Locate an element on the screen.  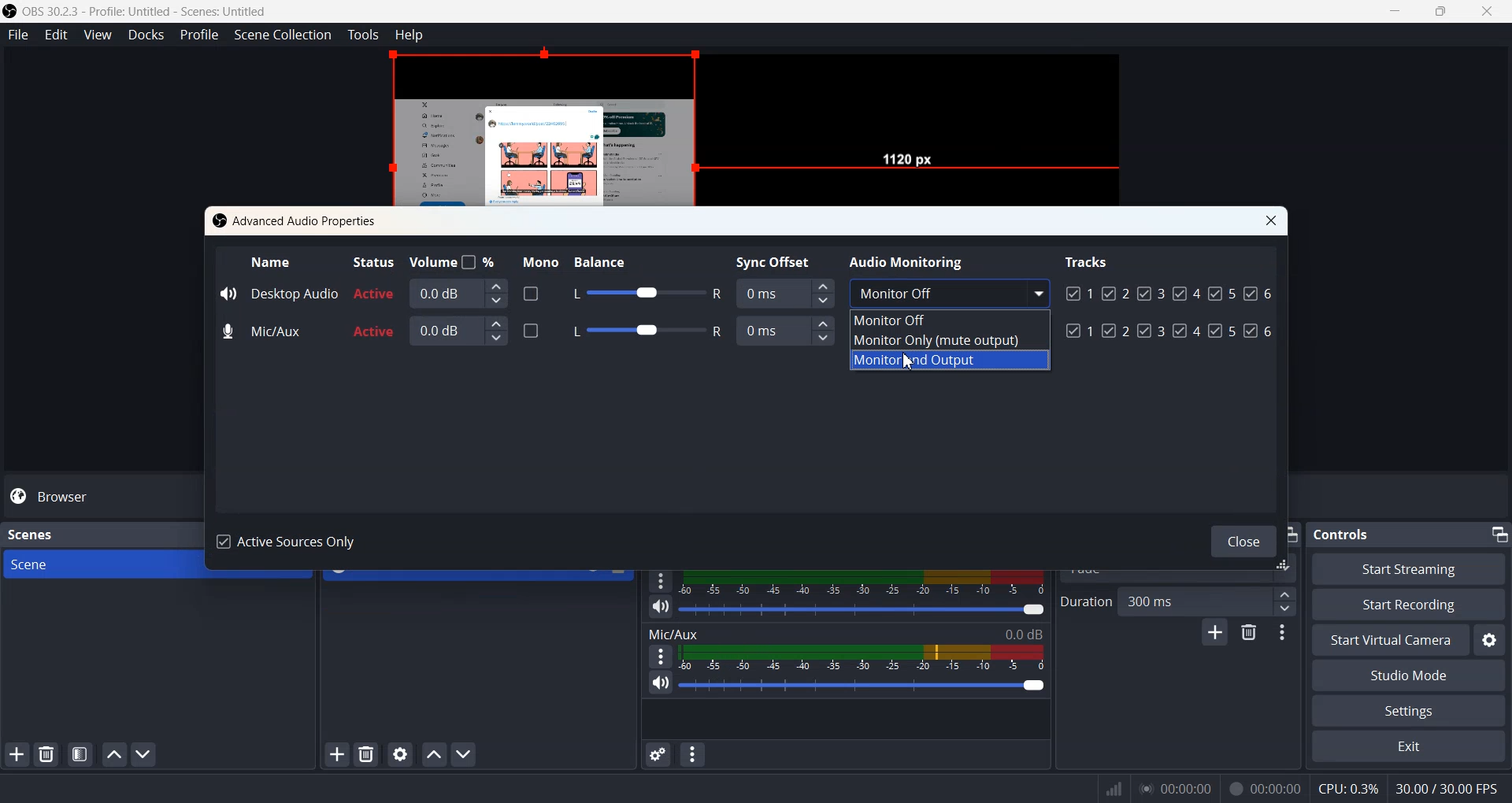
Volume adjuster is located at coordinates (865, 609).